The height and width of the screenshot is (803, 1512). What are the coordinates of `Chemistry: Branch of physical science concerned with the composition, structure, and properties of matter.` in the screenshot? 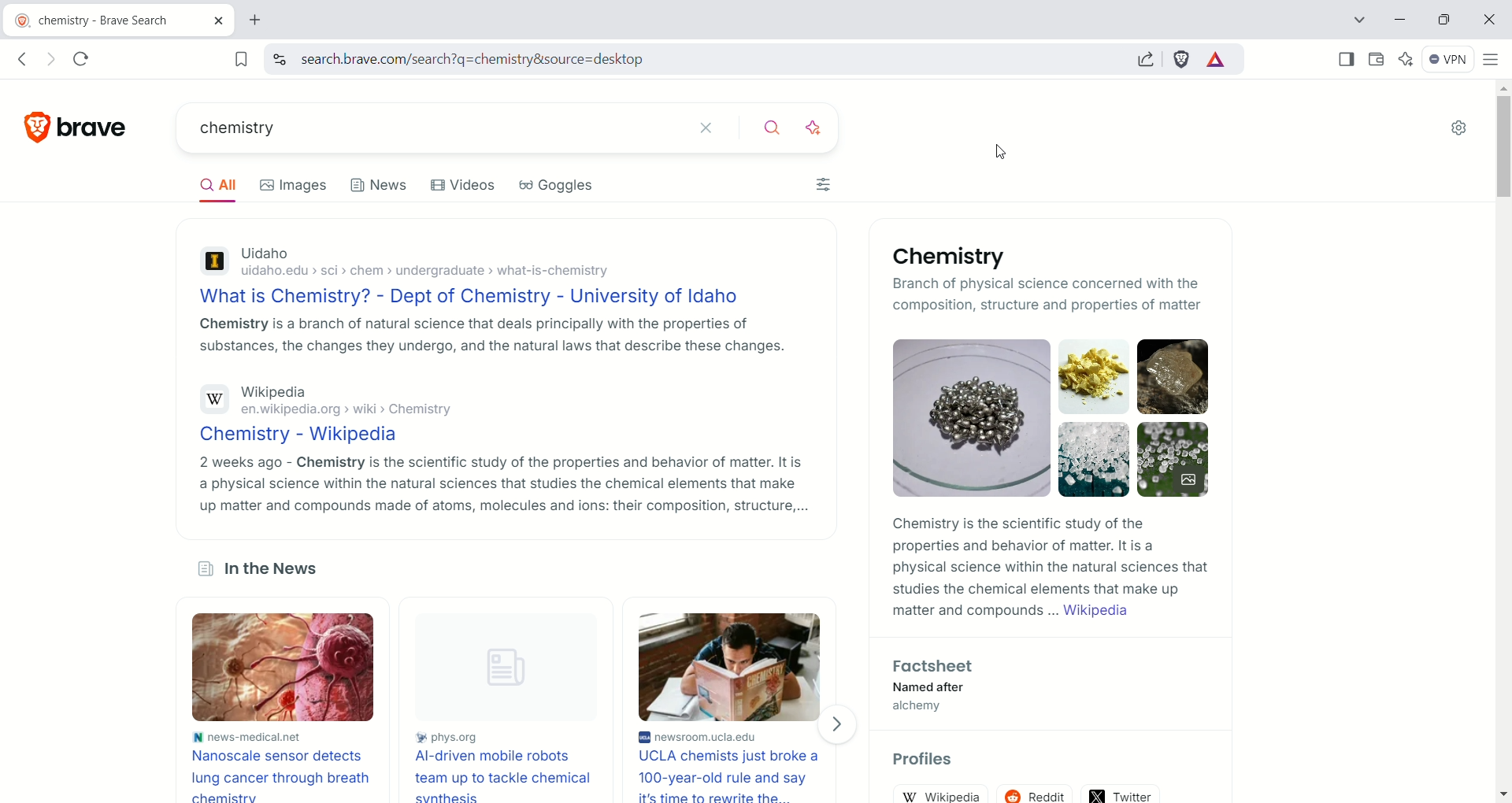 It's located at (962, 281).